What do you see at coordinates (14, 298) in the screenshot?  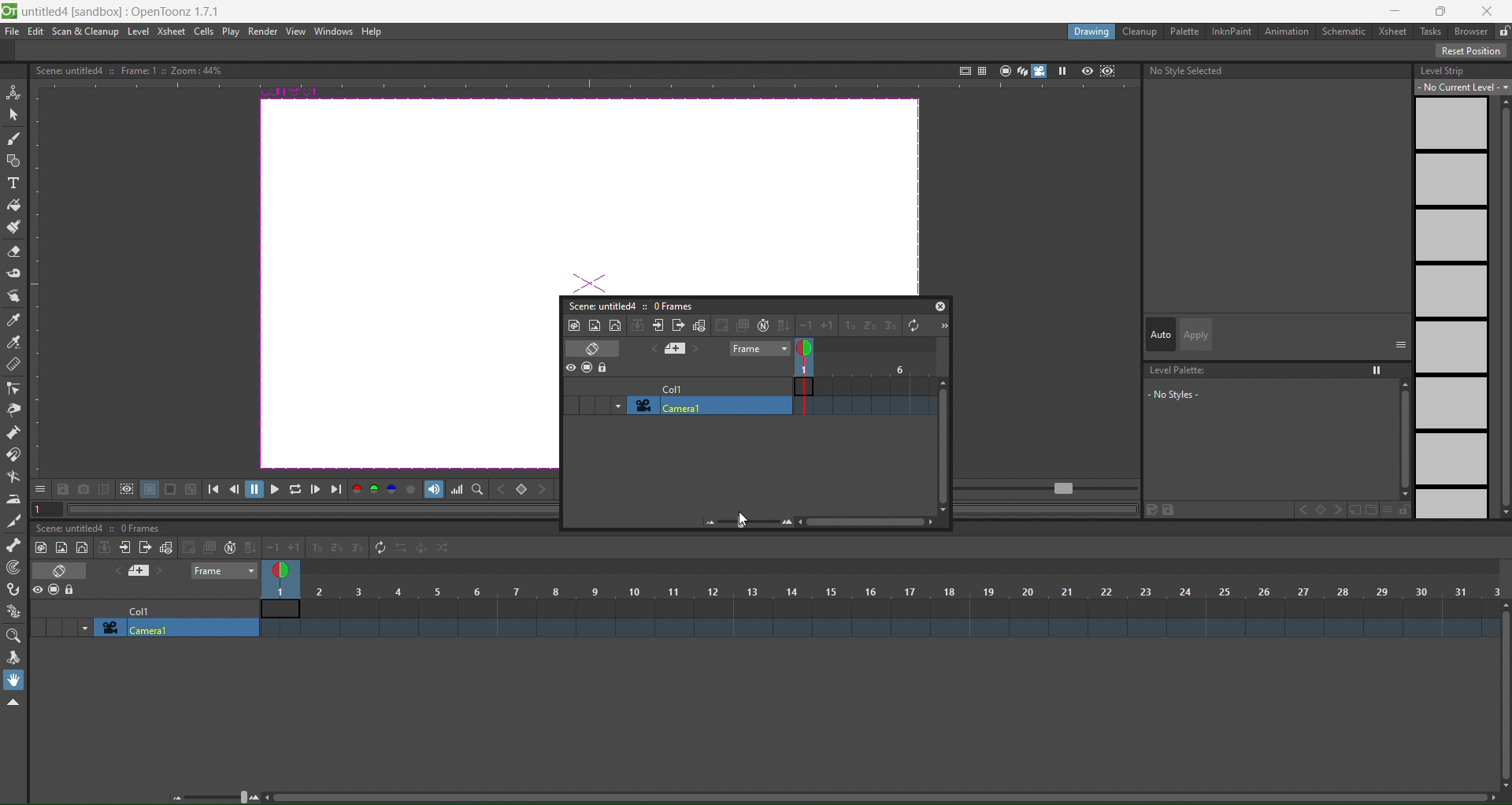 I see `finger tool` at bounding box center [14, 298].